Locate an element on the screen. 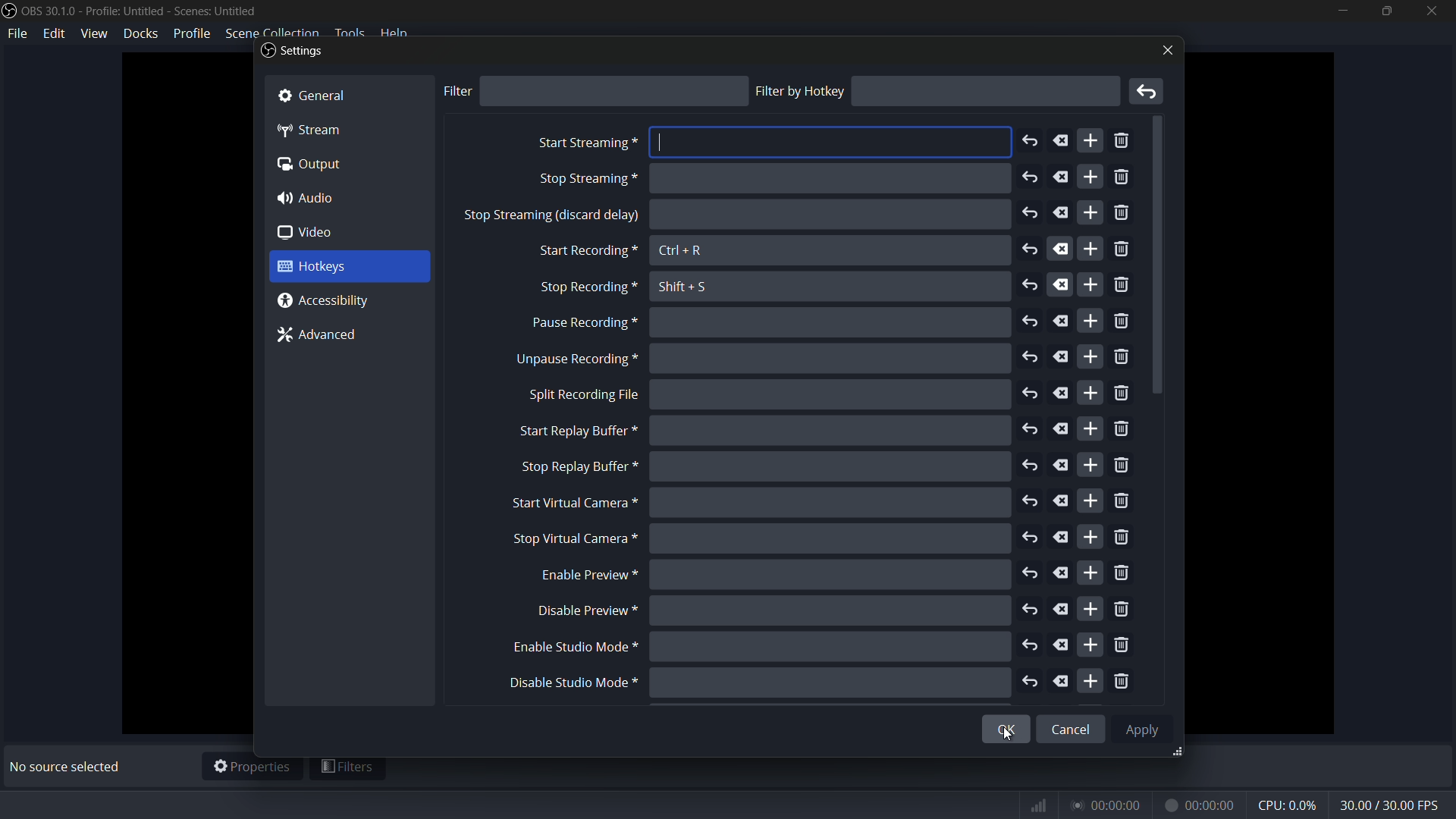  delete is located at coordinates (1062, 466).